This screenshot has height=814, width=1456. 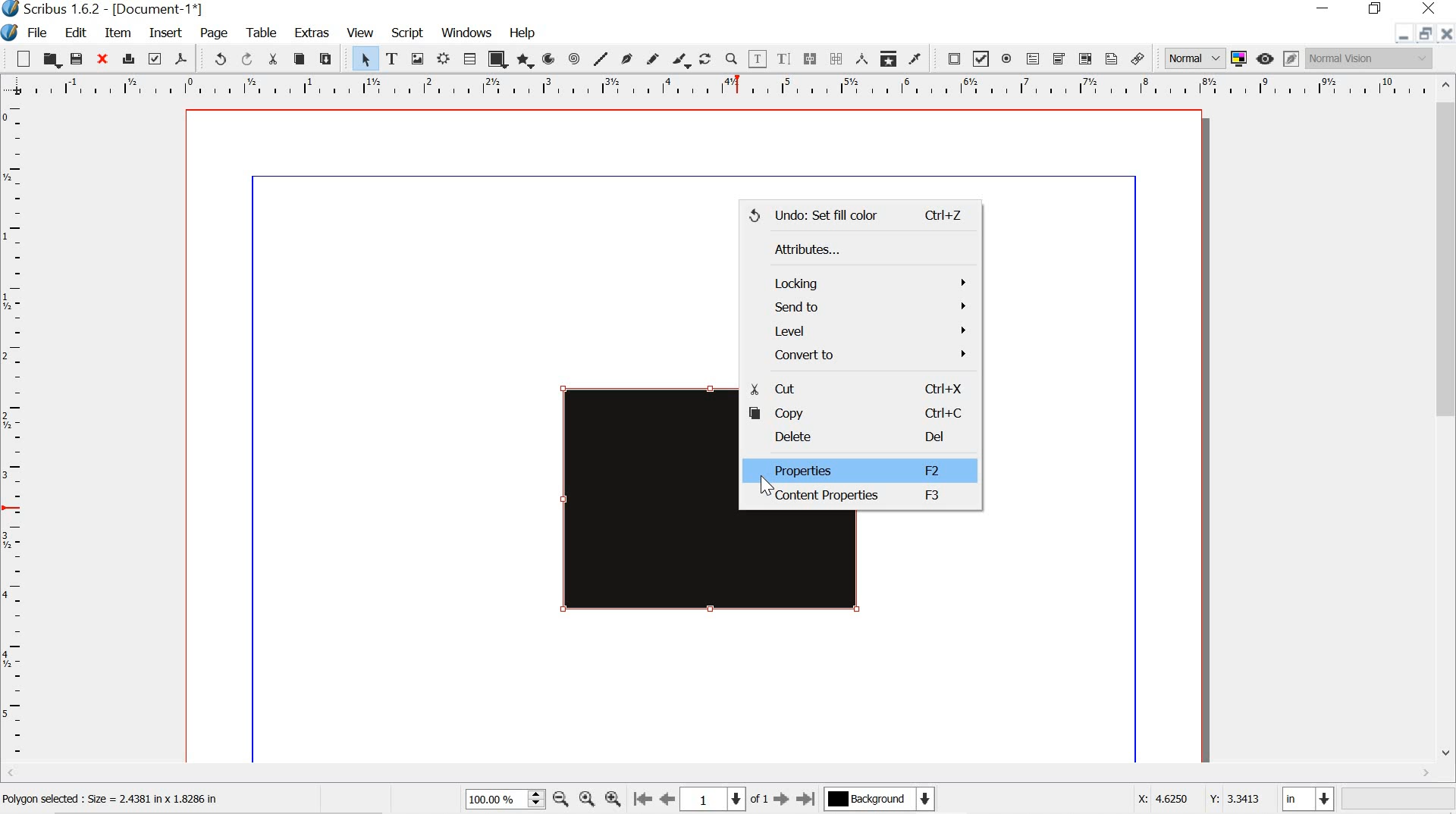 I want to click on Background, so click(x=879, y=800).